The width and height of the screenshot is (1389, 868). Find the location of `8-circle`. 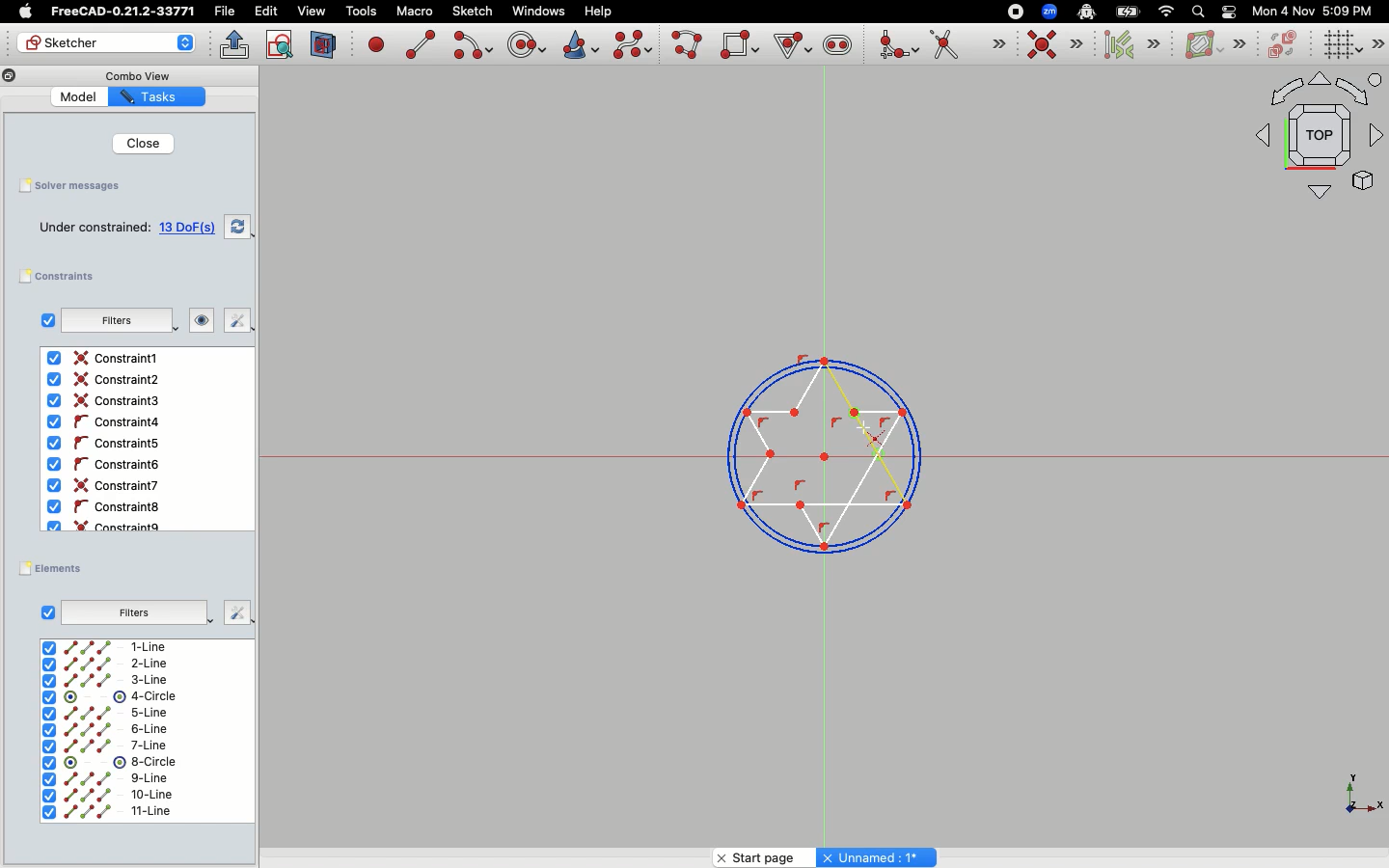

8-circle is located at coordinates (121, 762).